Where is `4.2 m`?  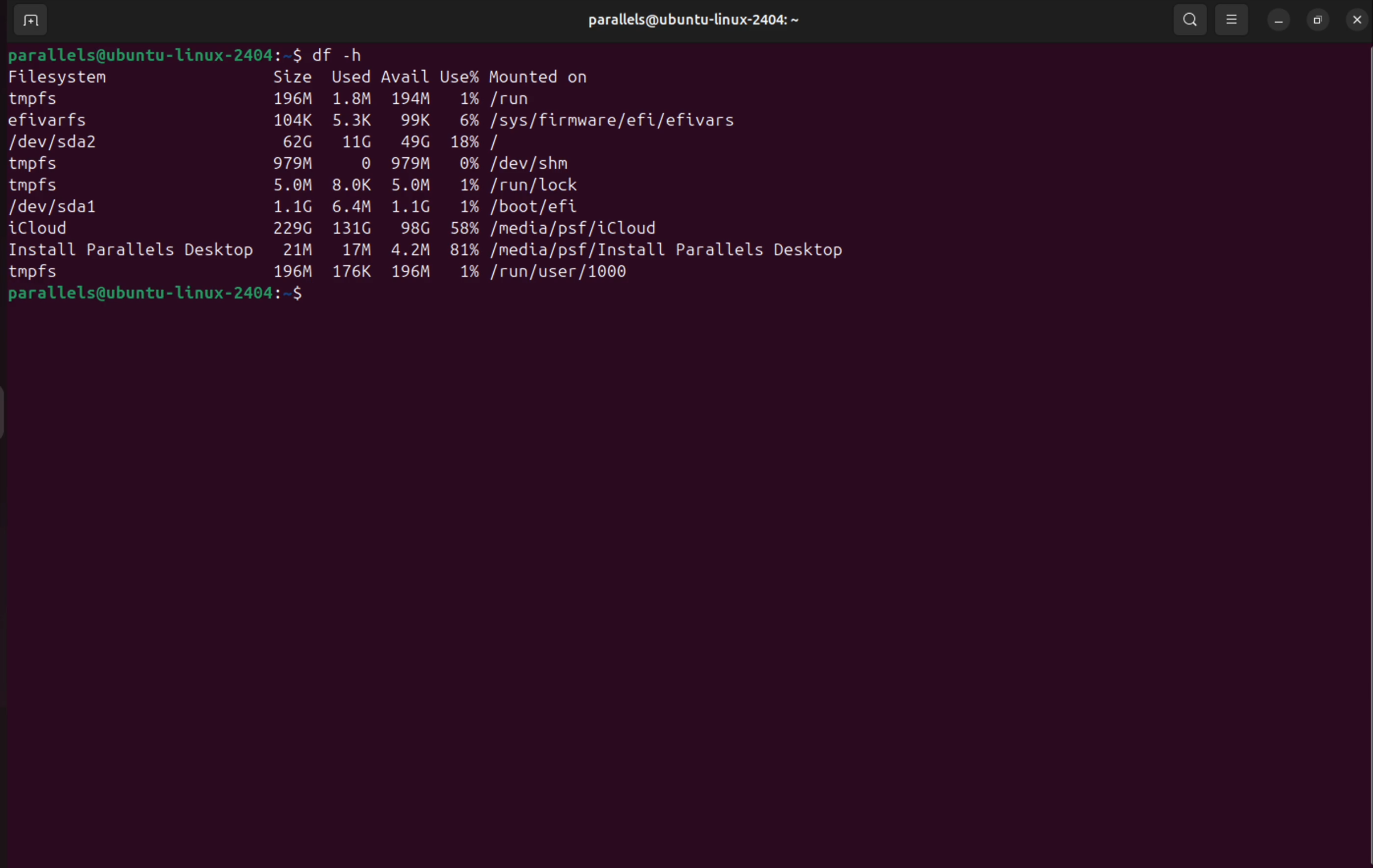
4.2 m is located at coordinates (409, 252).